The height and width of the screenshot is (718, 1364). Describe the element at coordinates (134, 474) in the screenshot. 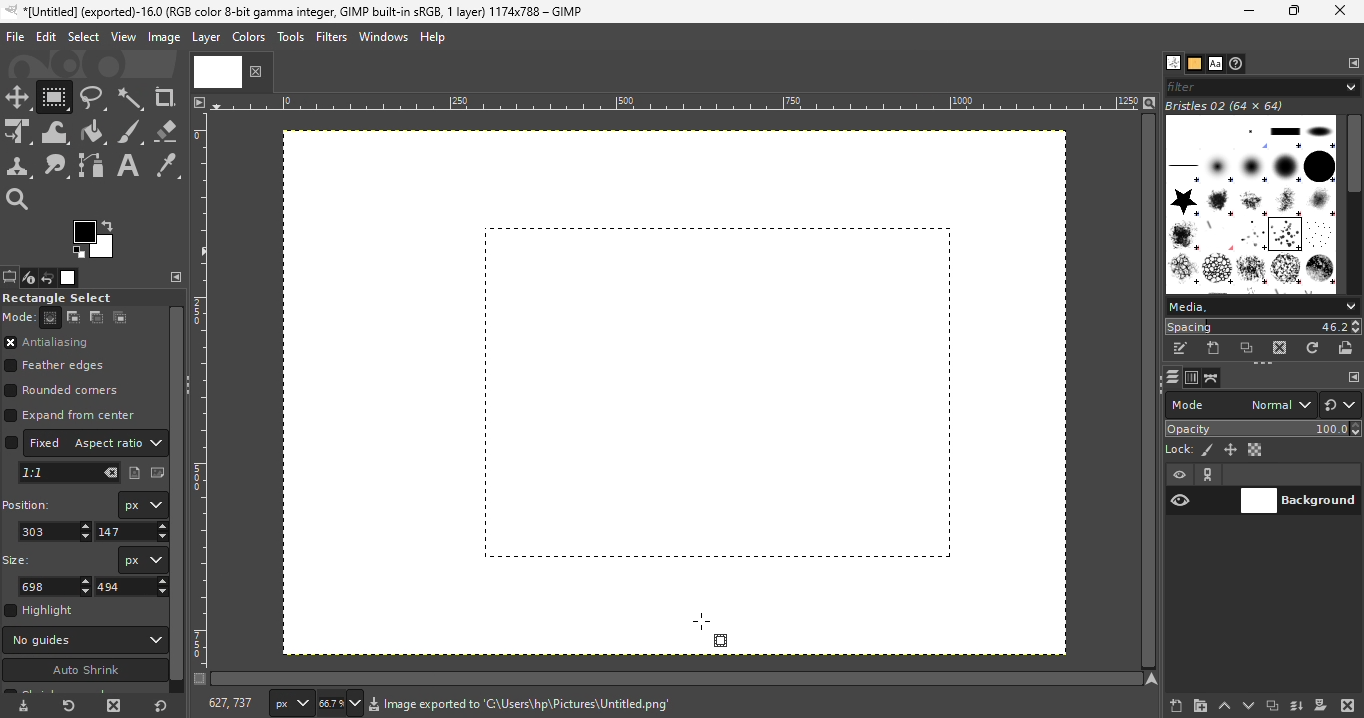

I see `Portrait` at that location.